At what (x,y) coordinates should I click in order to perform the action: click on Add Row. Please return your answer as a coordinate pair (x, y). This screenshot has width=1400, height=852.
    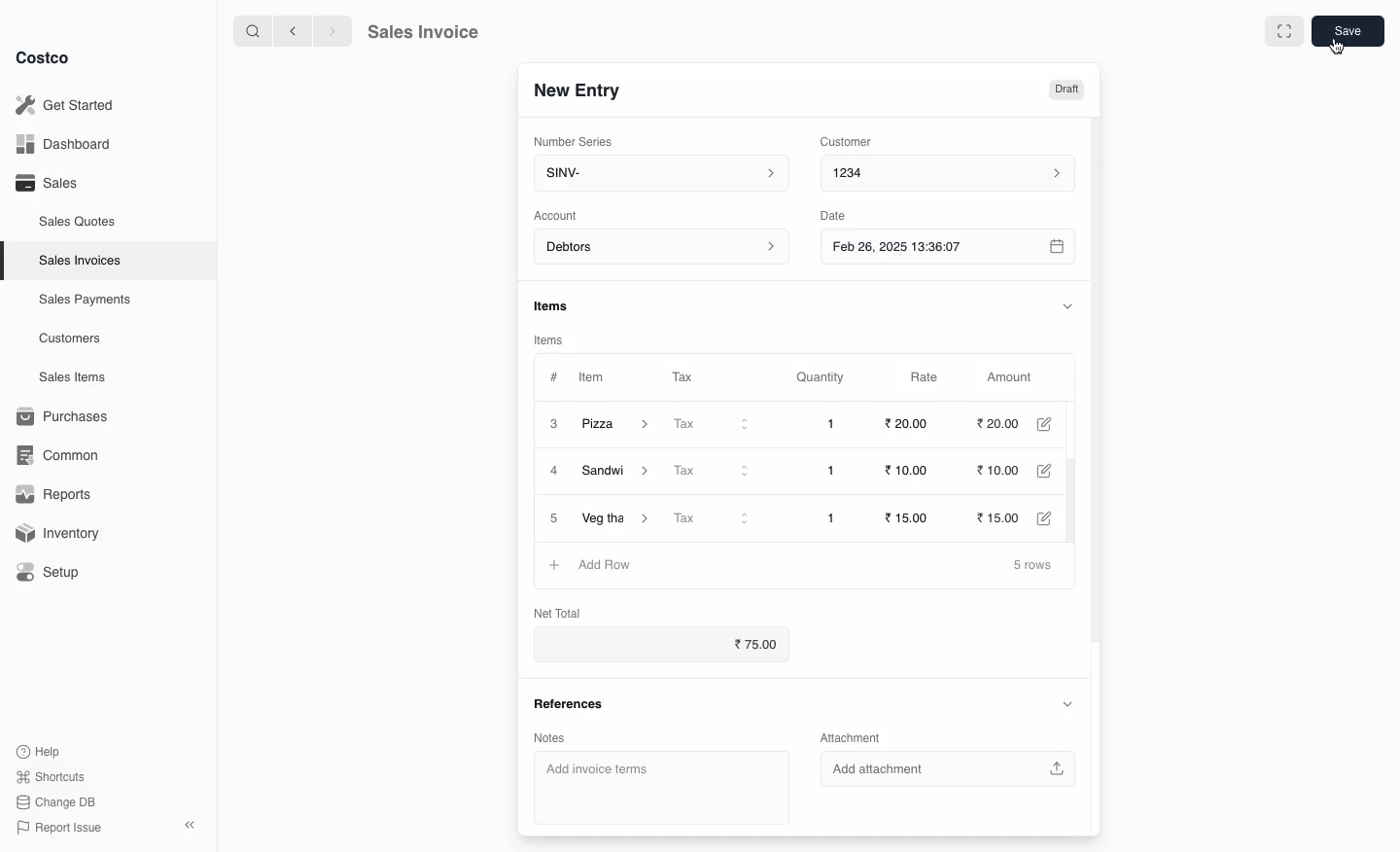
    Looking at the image, I should click on (605, 562).